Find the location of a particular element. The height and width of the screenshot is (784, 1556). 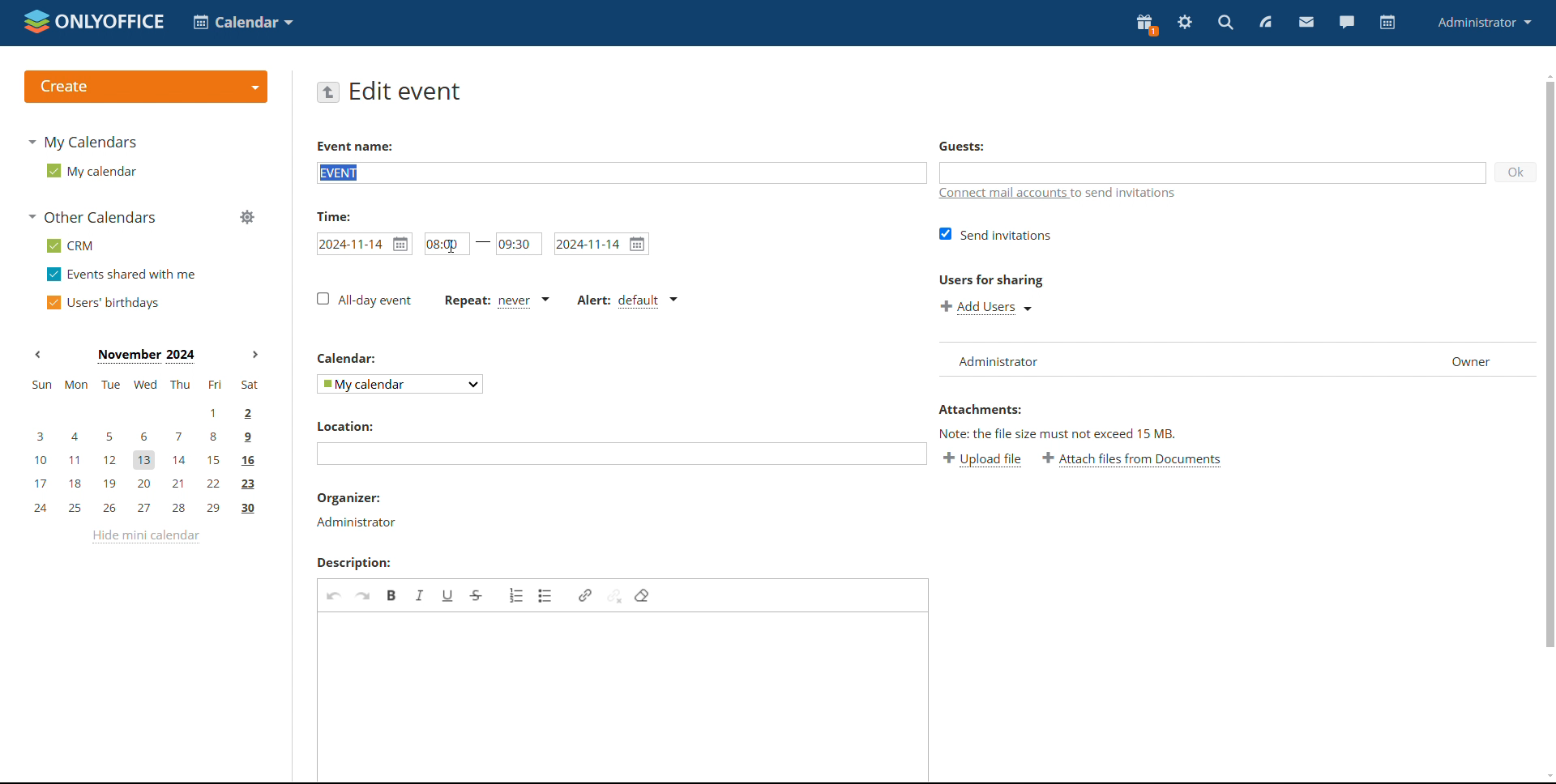

previous month is located at coordinates (41, 355).